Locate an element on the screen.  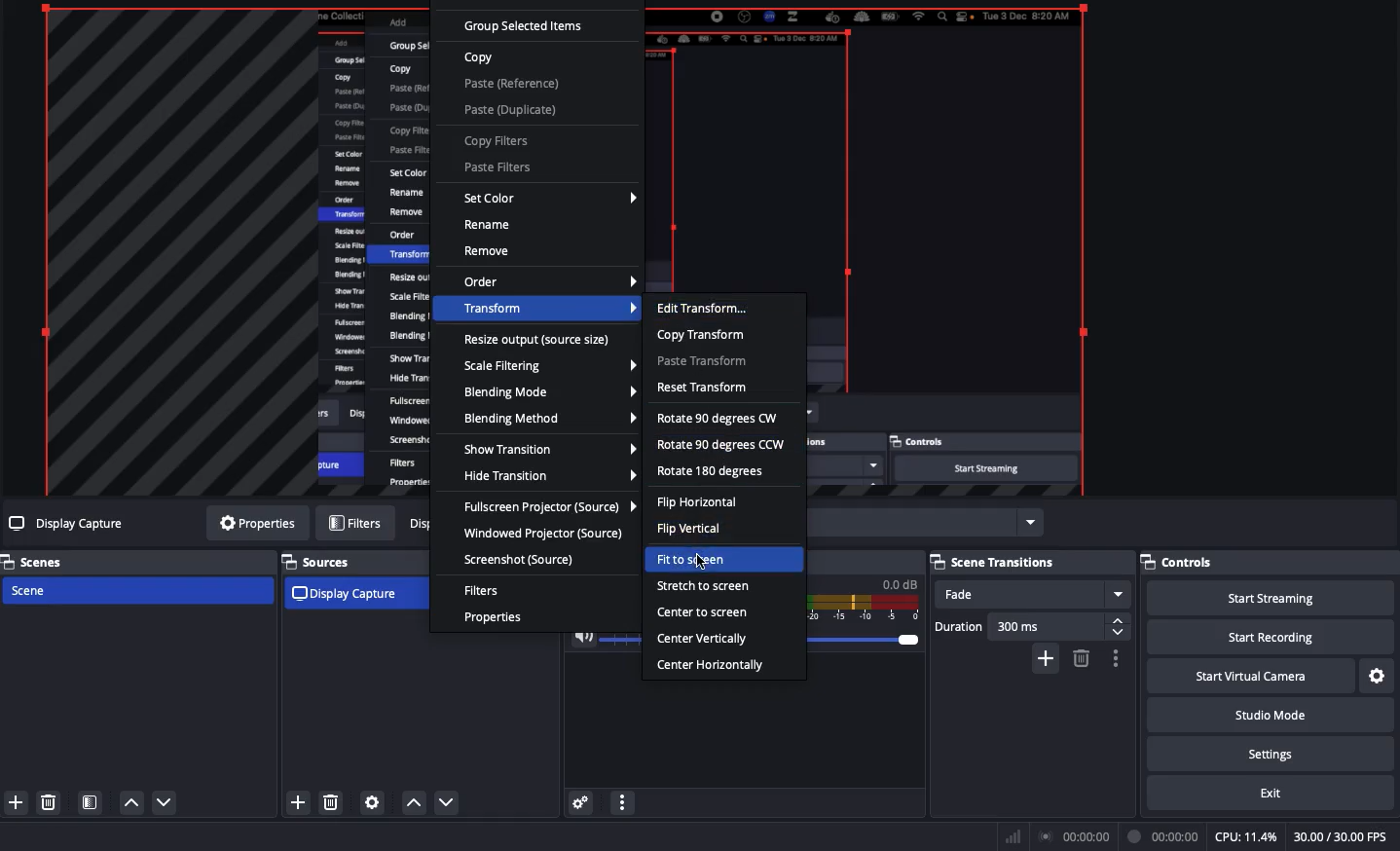
Scene is located at coordinates (136, 592).